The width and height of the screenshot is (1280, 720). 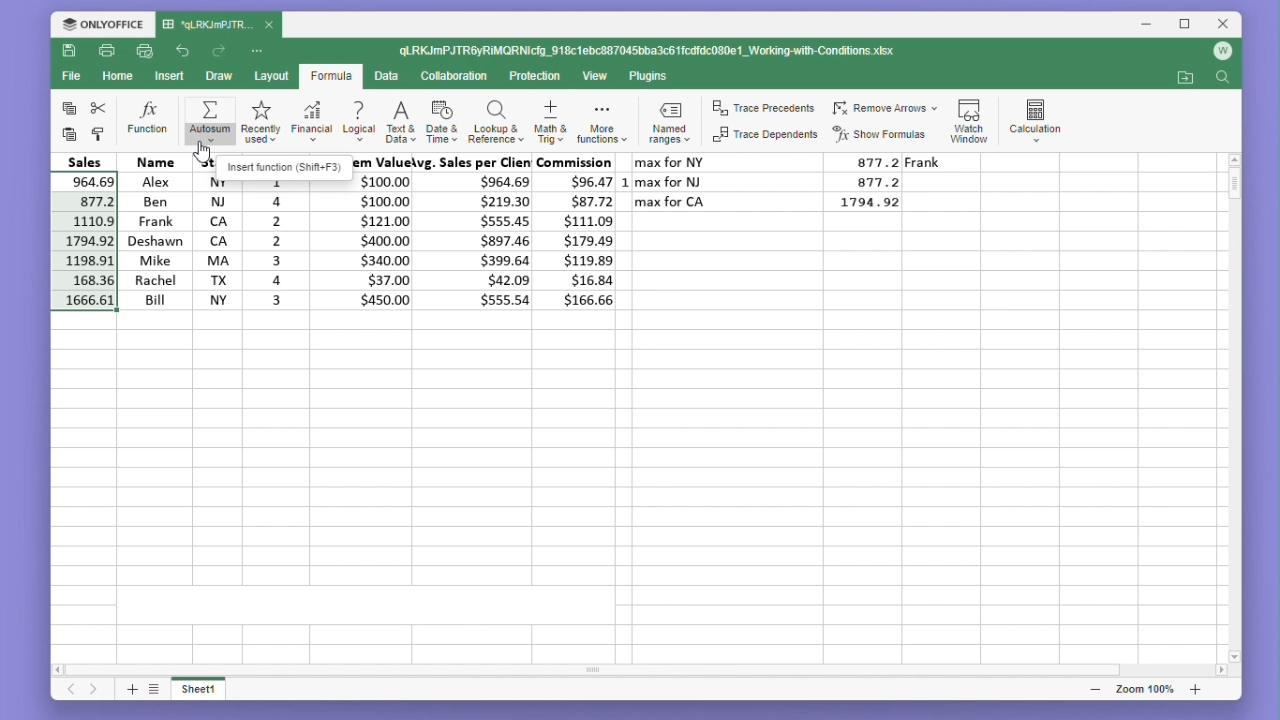 I want to click on qLRKJmPJTR6yRIMQRNIcfg_918c1ebc887045bba3c61fcdfdc080c1_Working-with-Conditions.xlsx, so click(x=651, y=49).